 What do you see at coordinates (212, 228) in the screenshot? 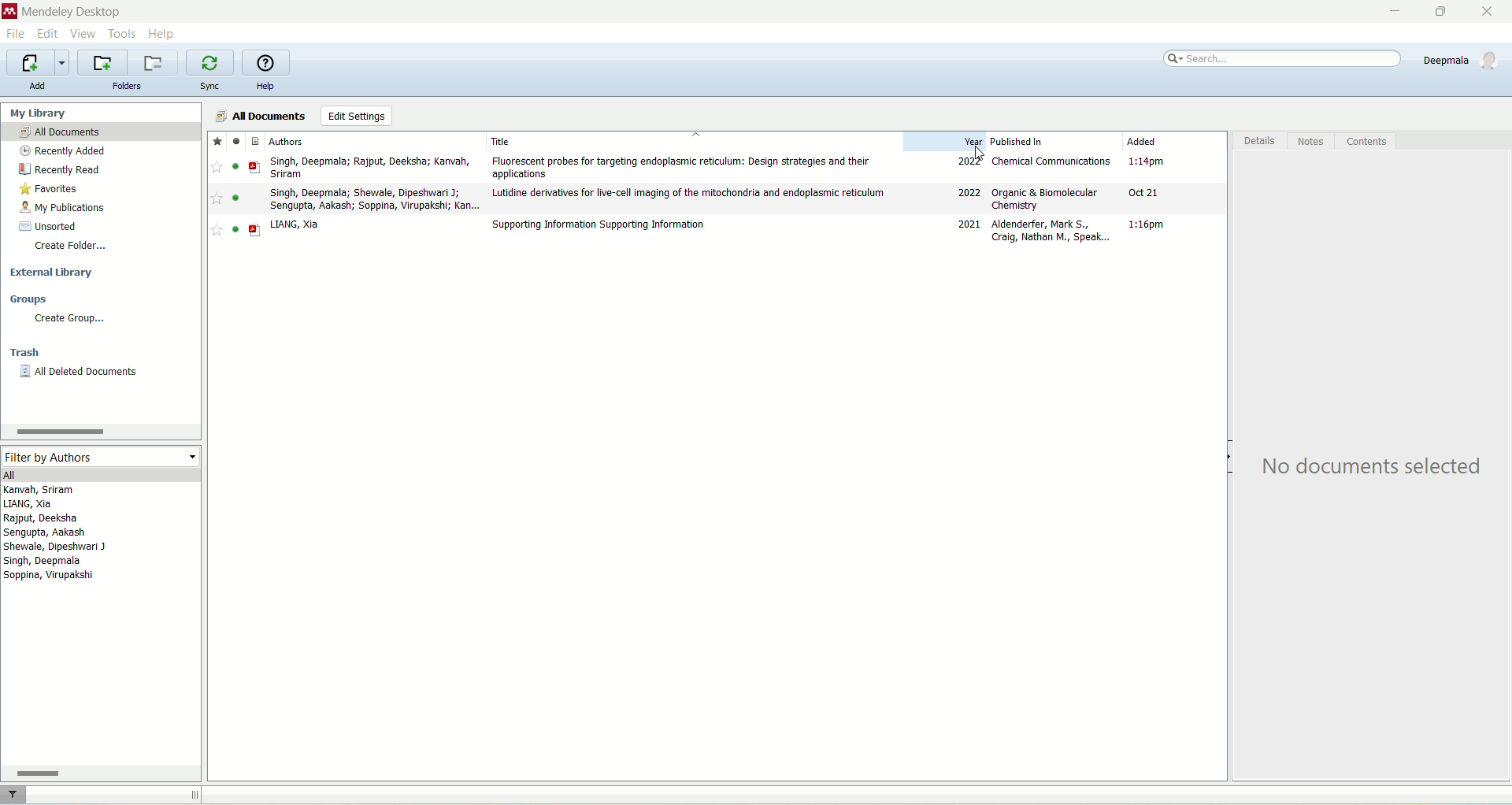
I see `Favourite` at bounding box center [212, 228].